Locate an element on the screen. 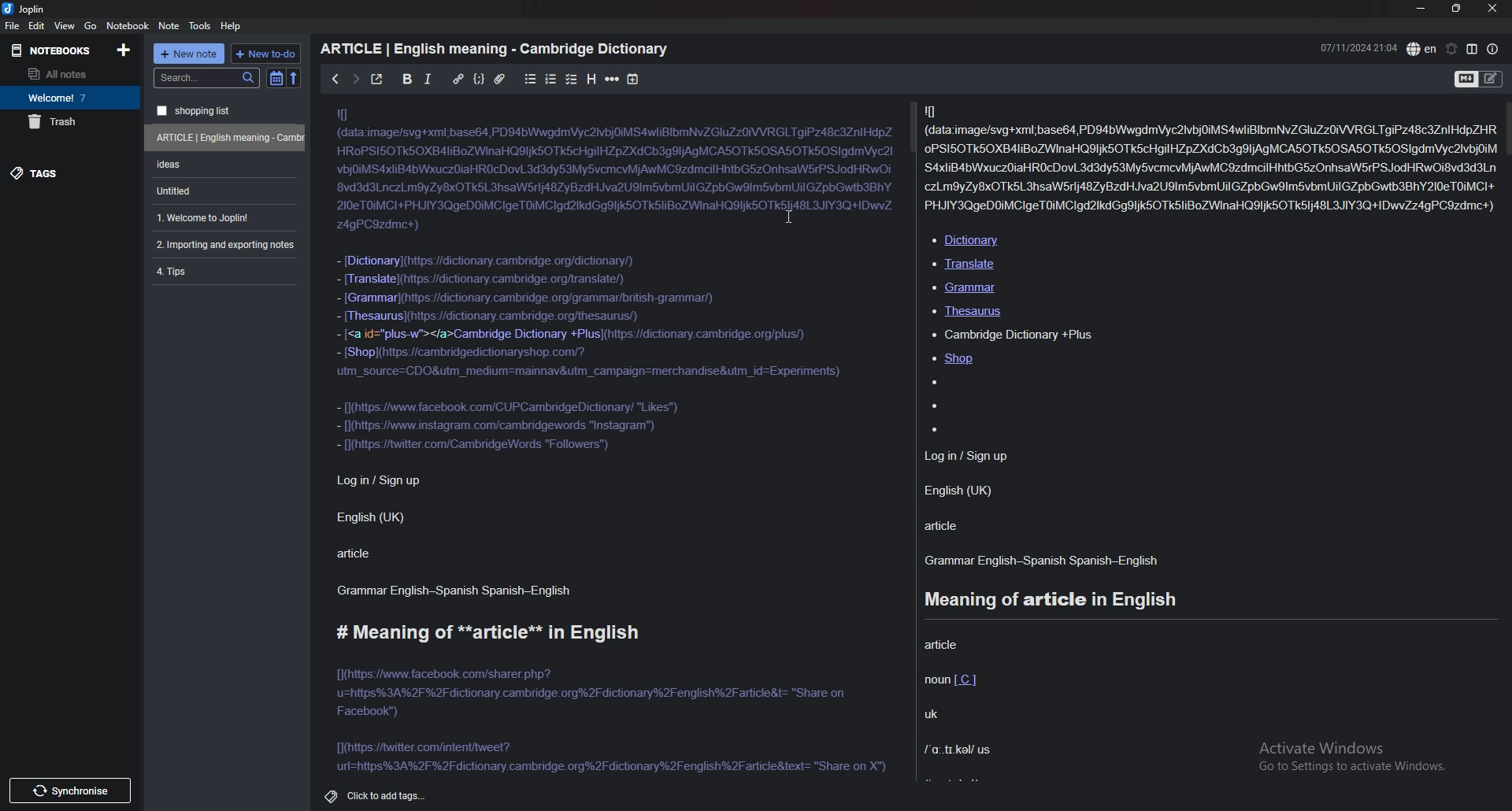 This screenshot has width=1512, height=811. scroll bar is located at coordinates (1506, 128).